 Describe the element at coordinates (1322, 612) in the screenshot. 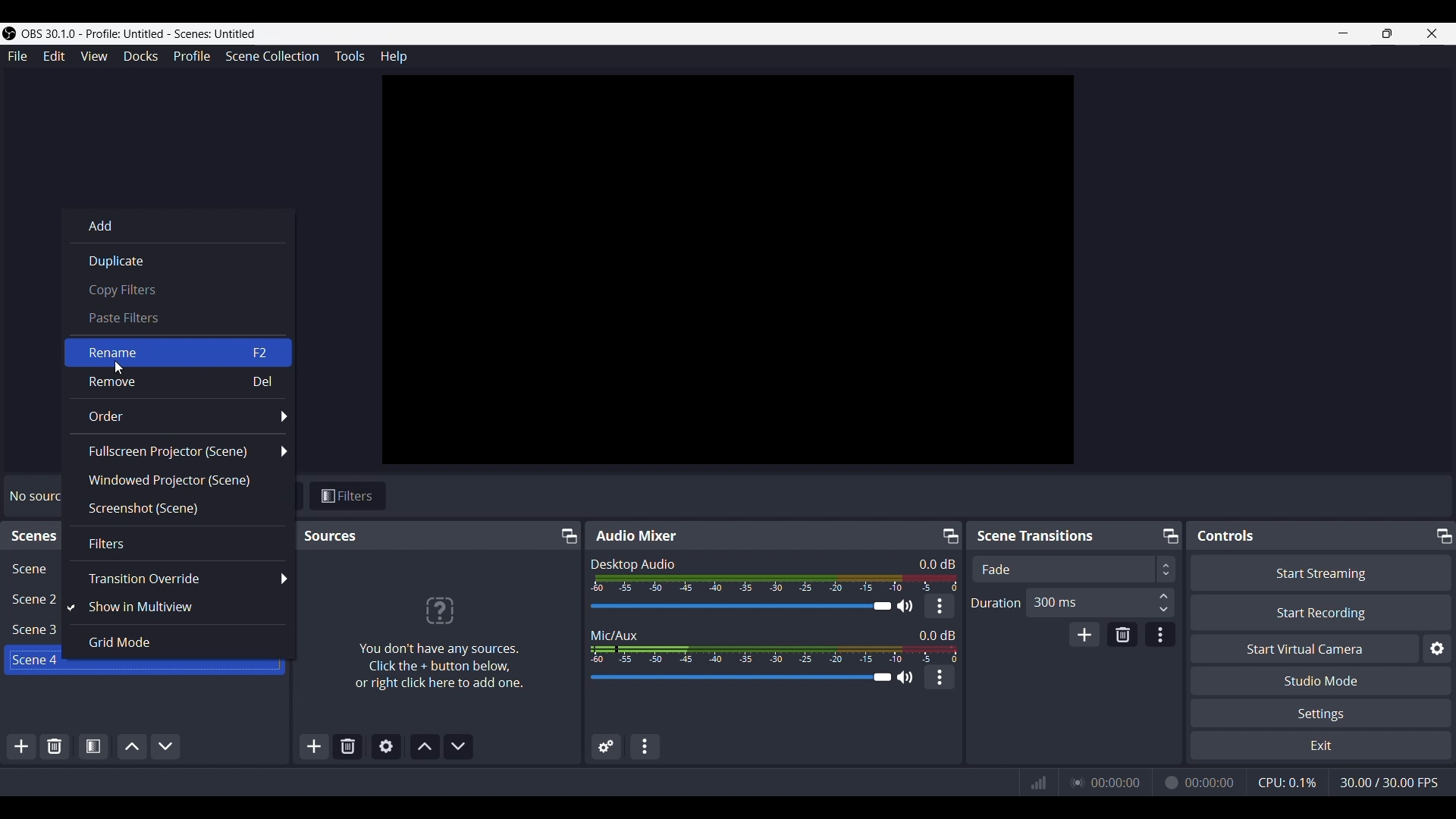

I see `Start Recording` at that location.